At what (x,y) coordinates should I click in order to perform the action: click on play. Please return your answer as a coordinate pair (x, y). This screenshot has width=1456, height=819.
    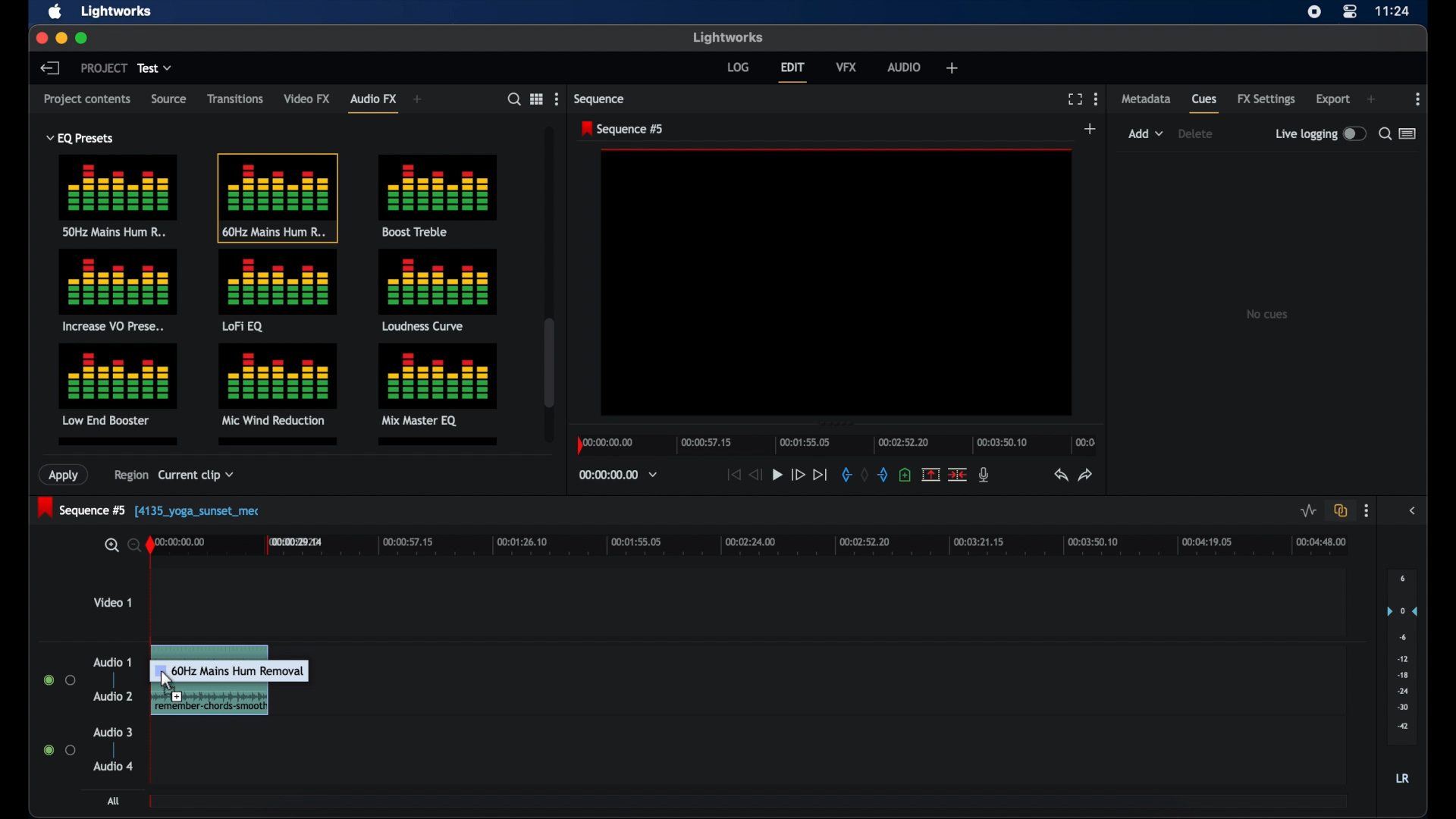
    Looking at the image, I should click on (777, 475).